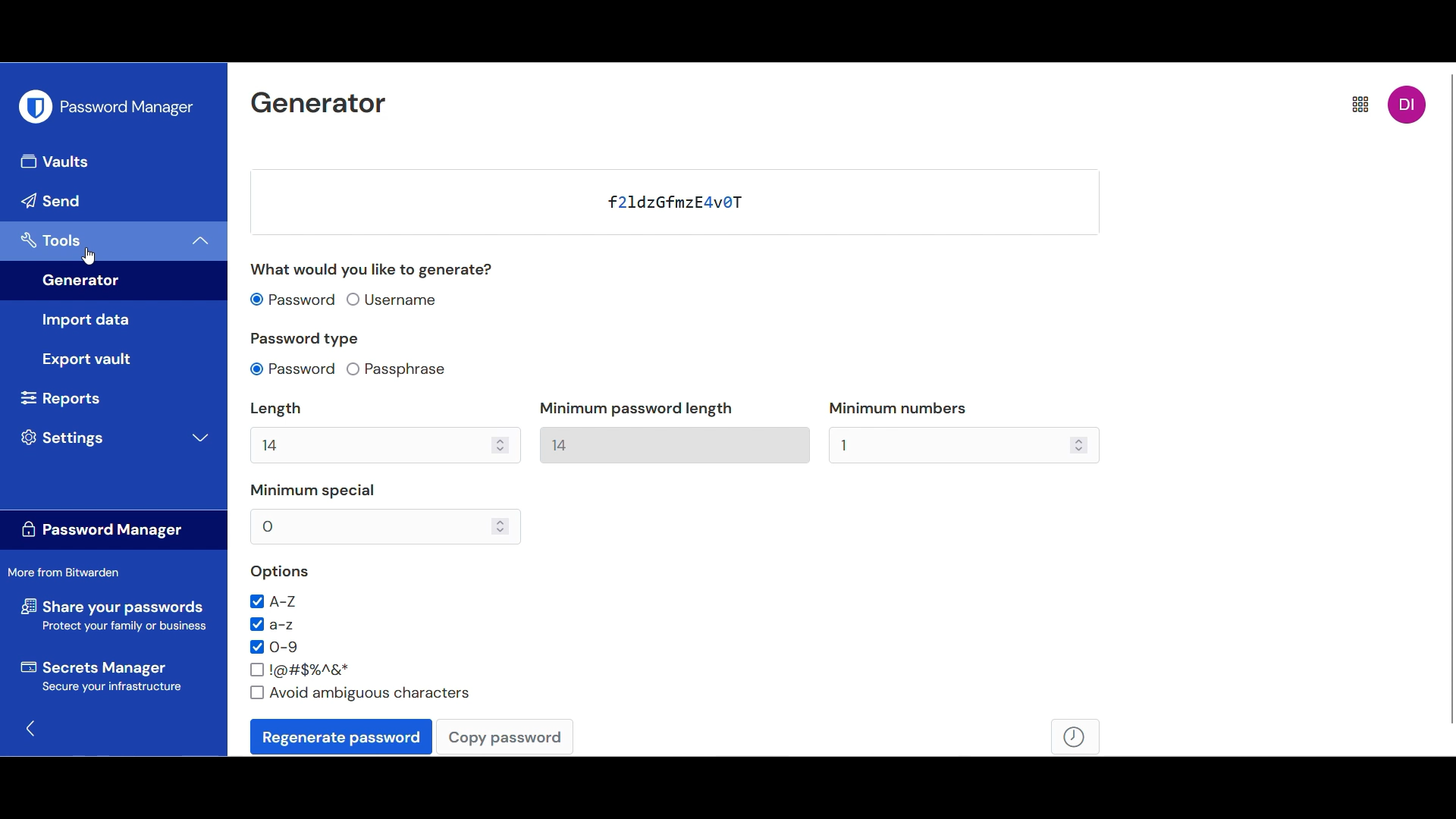 The image size is (1456, 819). I want to click on Password, so click(614, 199).